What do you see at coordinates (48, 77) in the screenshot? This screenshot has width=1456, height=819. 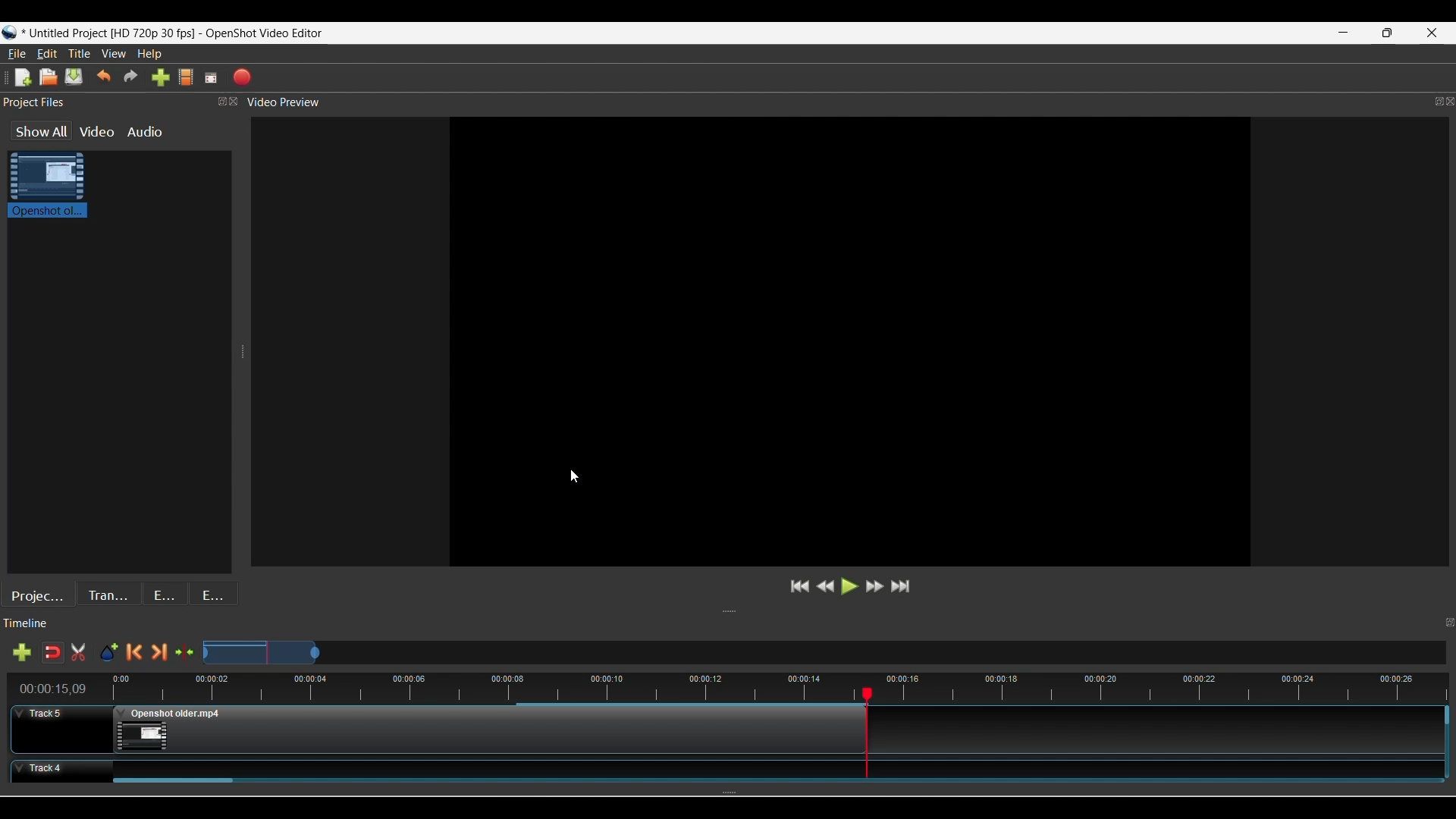 I see `Open file` at bounding box center [48, 77].